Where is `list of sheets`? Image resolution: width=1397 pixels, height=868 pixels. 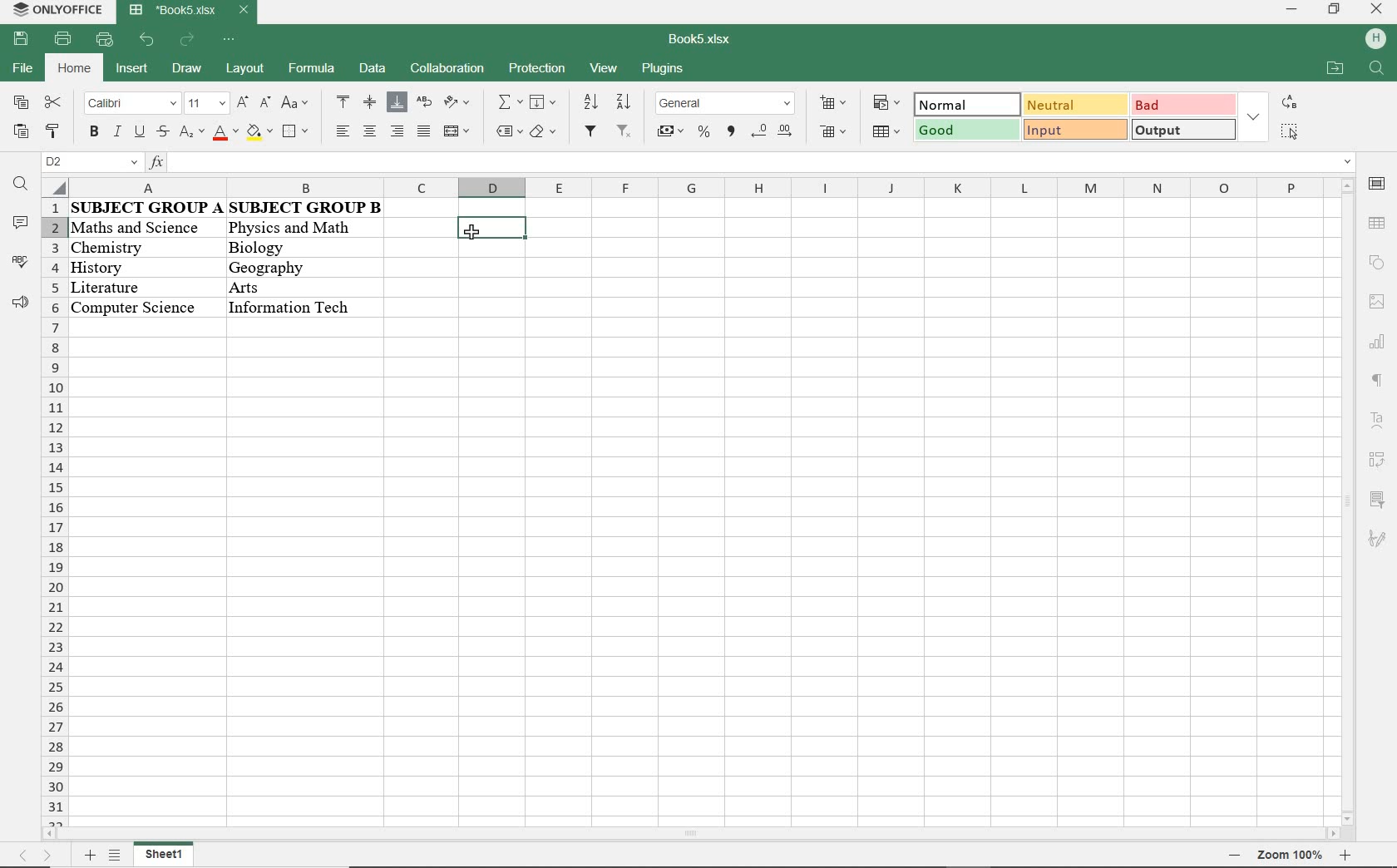
list of sheets is located at coordinates (116, 856).